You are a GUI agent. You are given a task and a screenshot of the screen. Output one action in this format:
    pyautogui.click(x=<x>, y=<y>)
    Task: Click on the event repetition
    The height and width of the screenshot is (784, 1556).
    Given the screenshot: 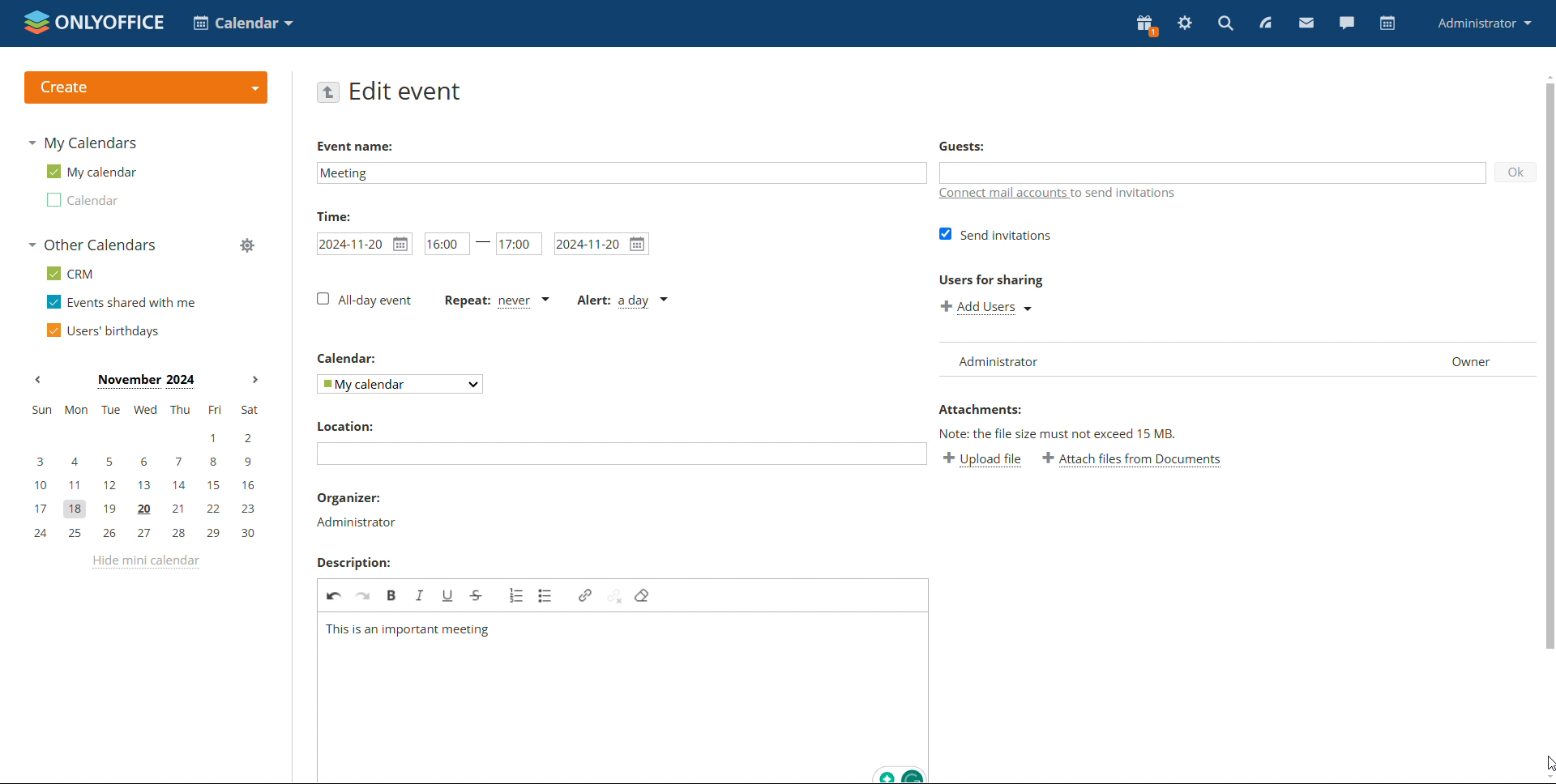 What is the action you would take?
    pyautogui.click(x=497, y=300)
    